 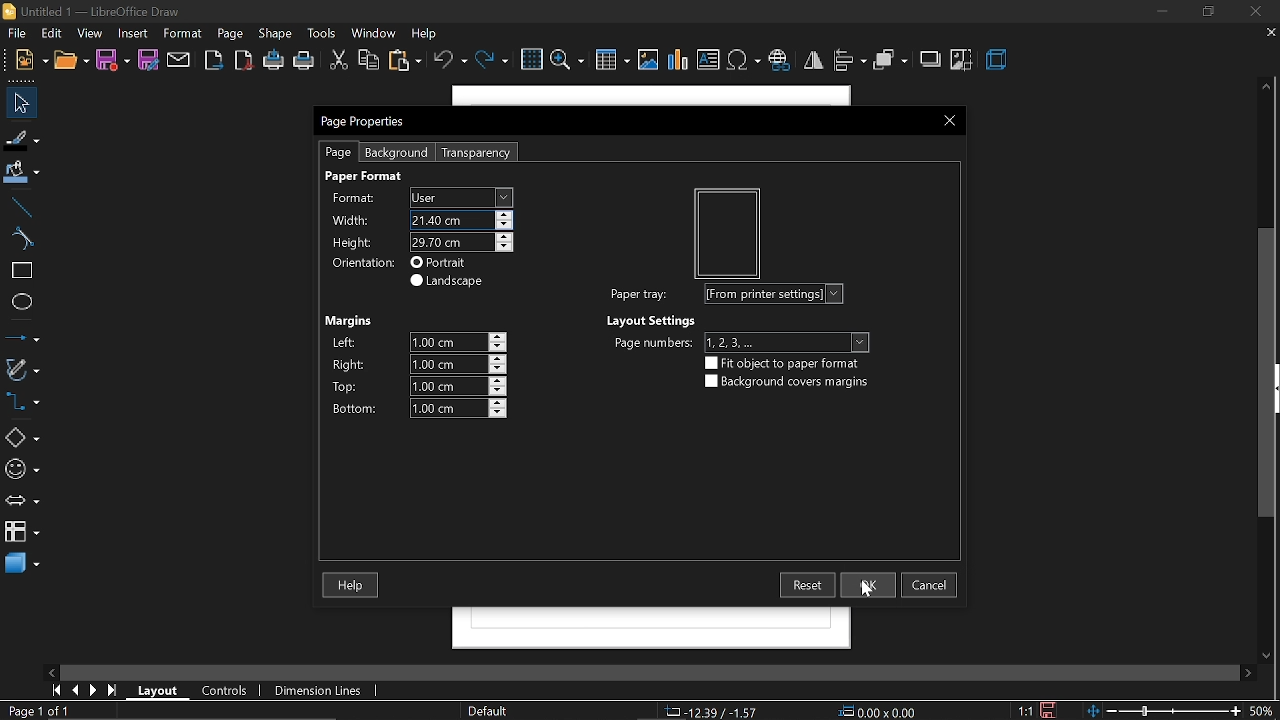 I want to click on 1.00cm, so click(x=456, y=364).